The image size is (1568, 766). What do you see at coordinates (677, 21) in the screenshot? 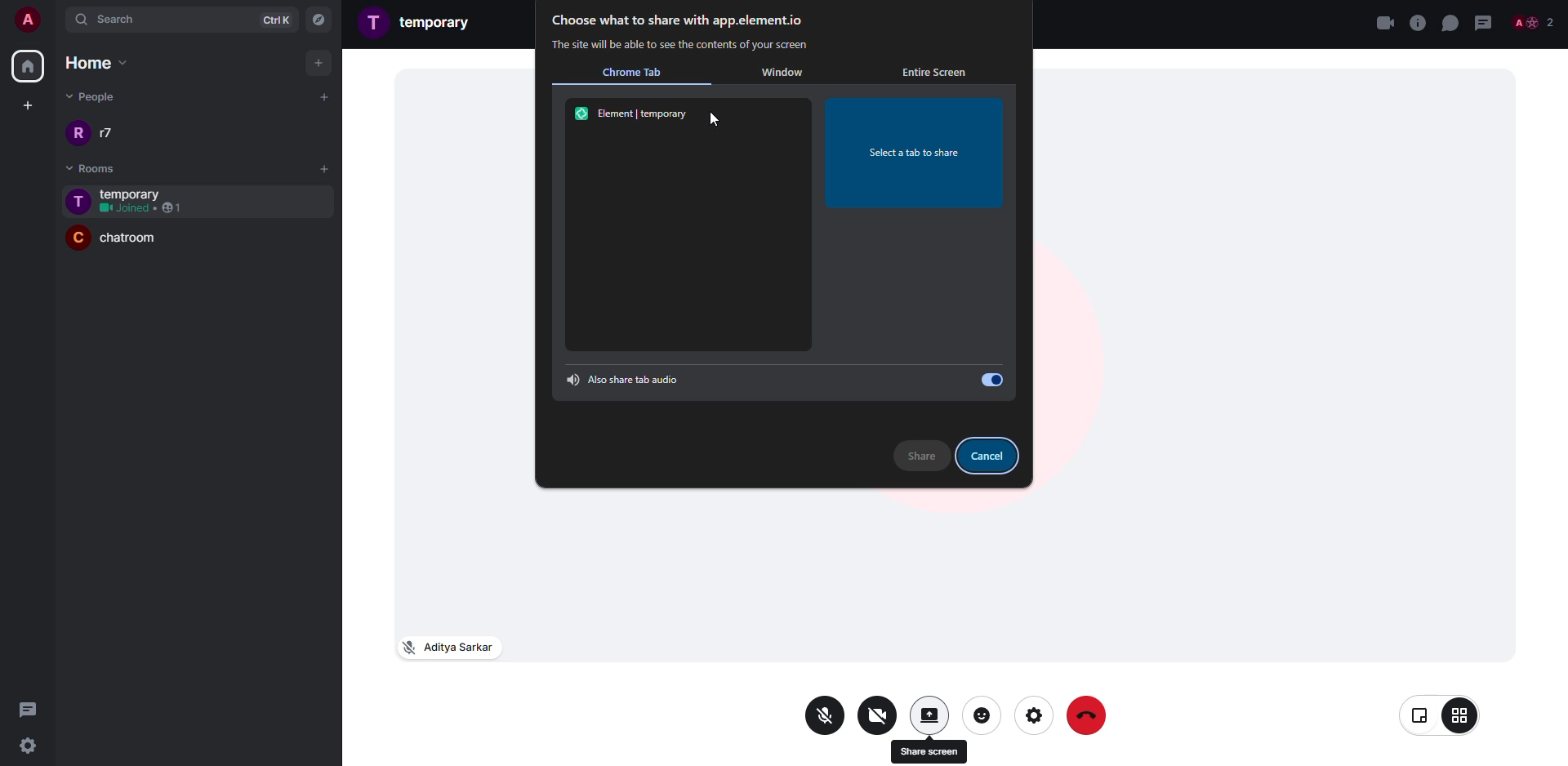
I see `choose what to share` at bounding box center [677, 21].